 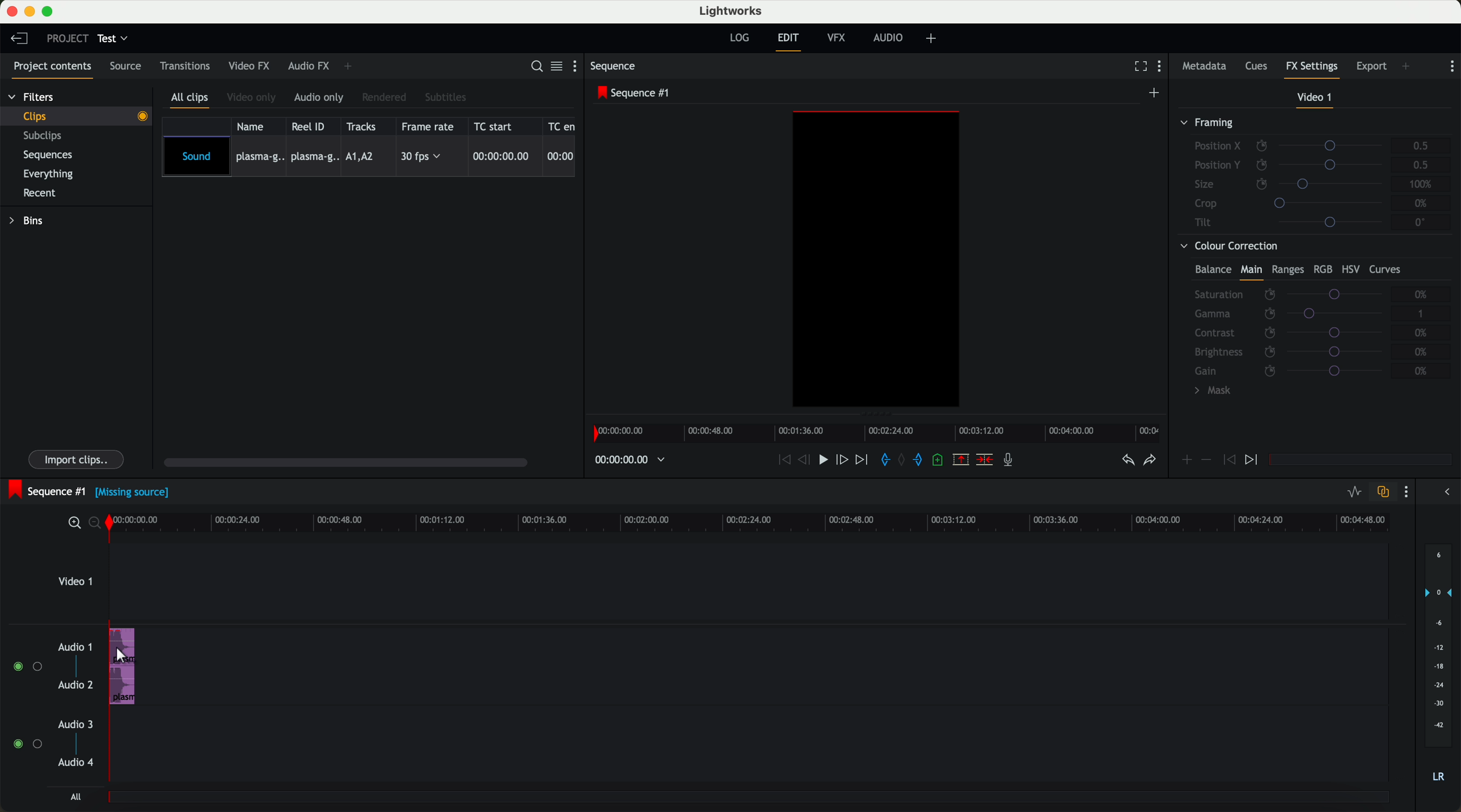 I want to click on add out mark, so click(x=922, y=461).